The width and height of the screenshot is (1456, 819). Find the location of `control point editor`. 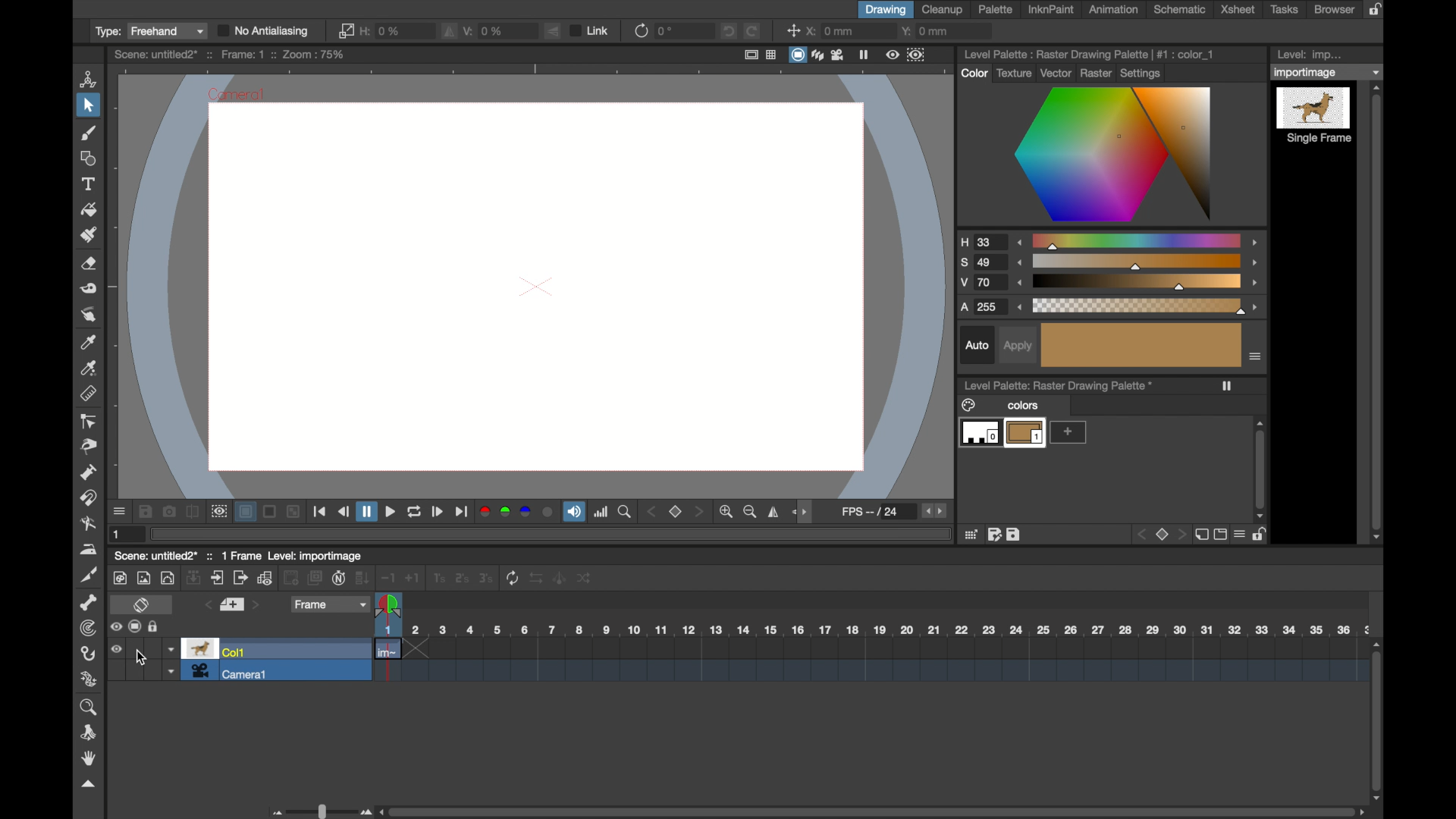

control point editor is located at coordinates (89, 422).